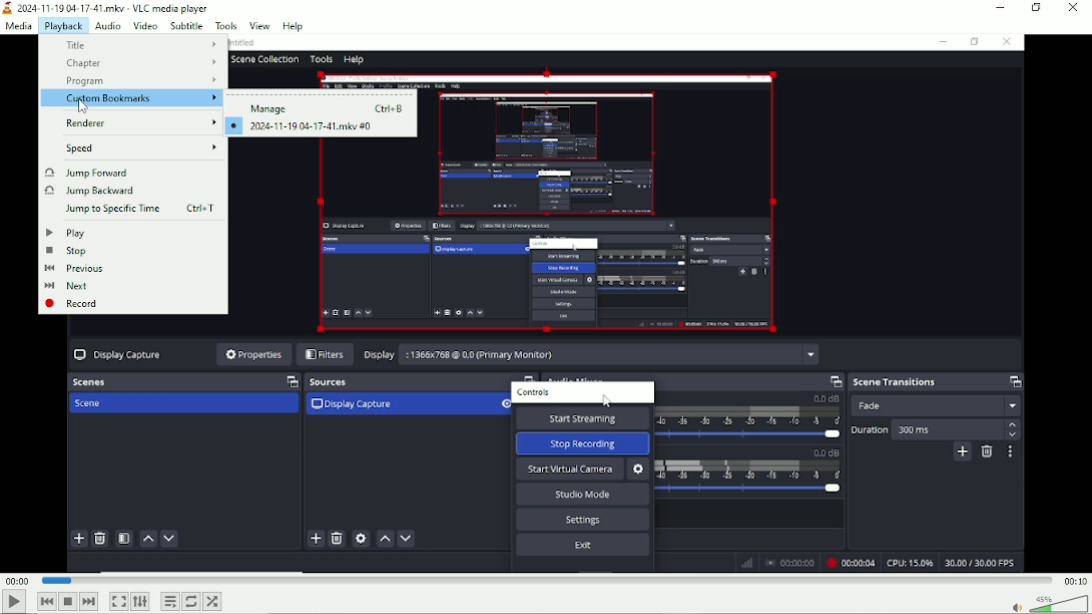  I want to click on Manage, so click(327, 108).